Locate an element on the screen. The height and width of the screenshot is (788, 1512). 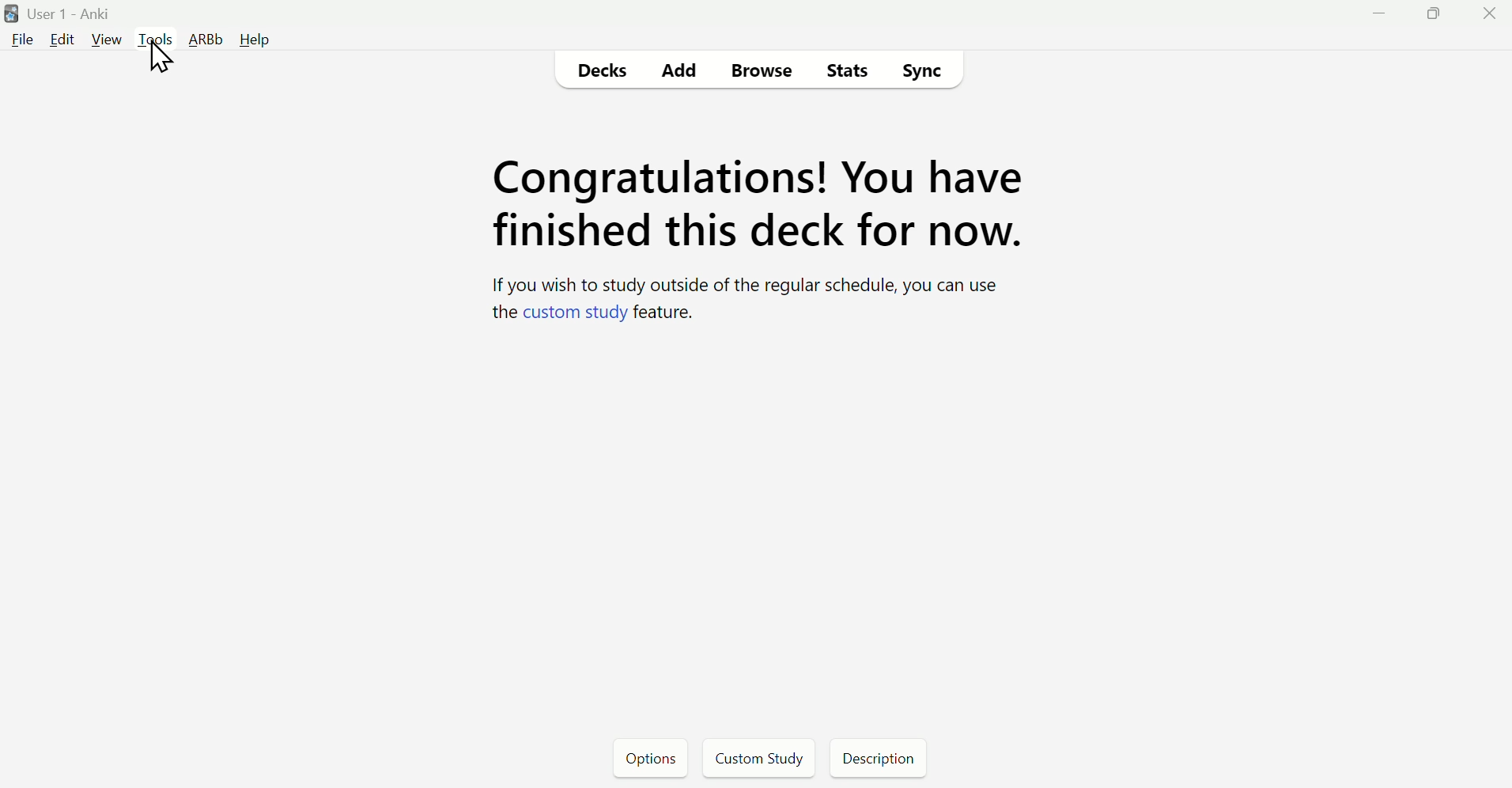
User 1 - Anki is located at coordinates (70, 14).